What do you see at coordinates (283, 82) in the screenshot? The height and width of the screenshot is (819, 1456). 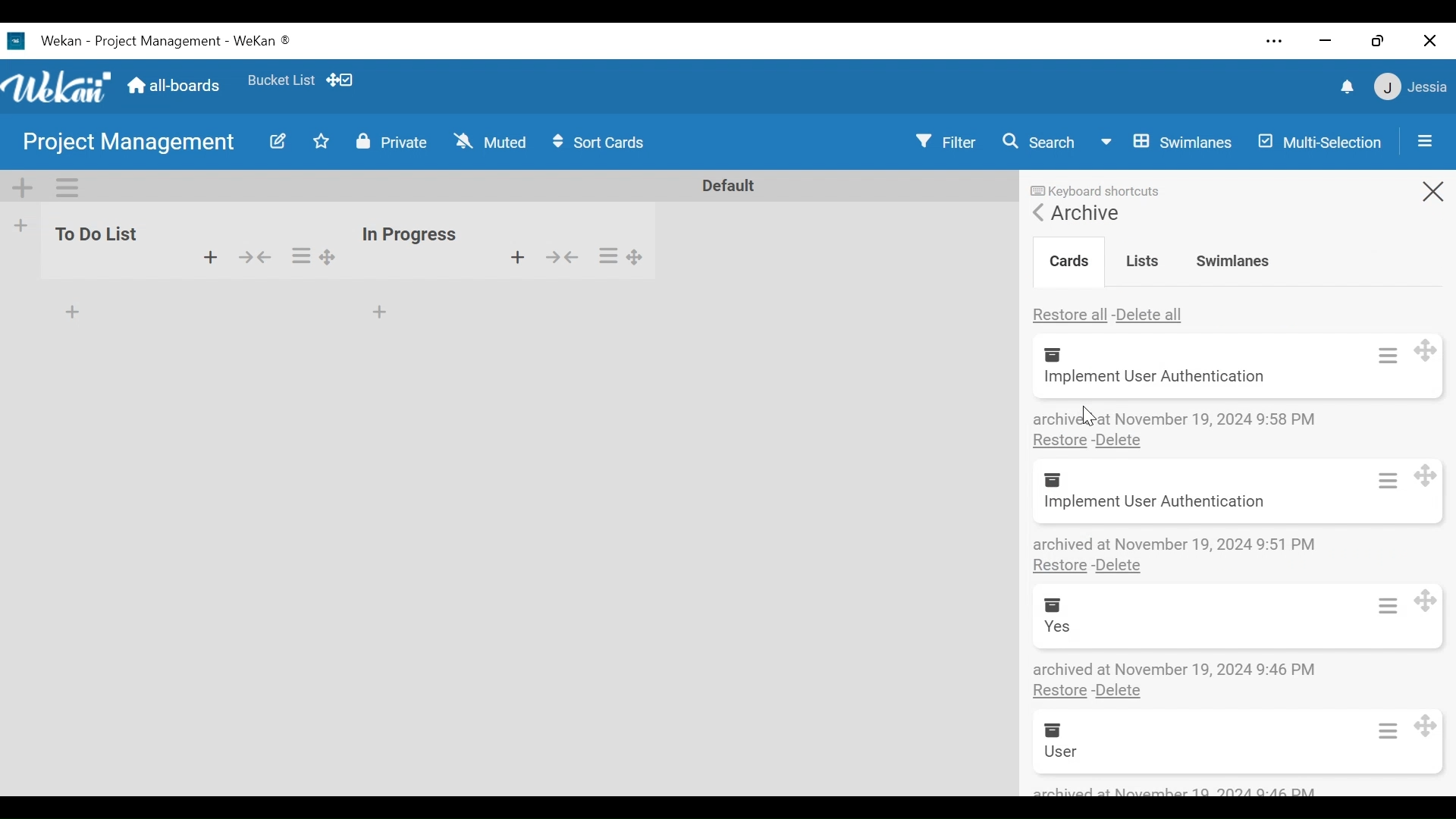 I see `Favorites` at bounding box center [283, 82].